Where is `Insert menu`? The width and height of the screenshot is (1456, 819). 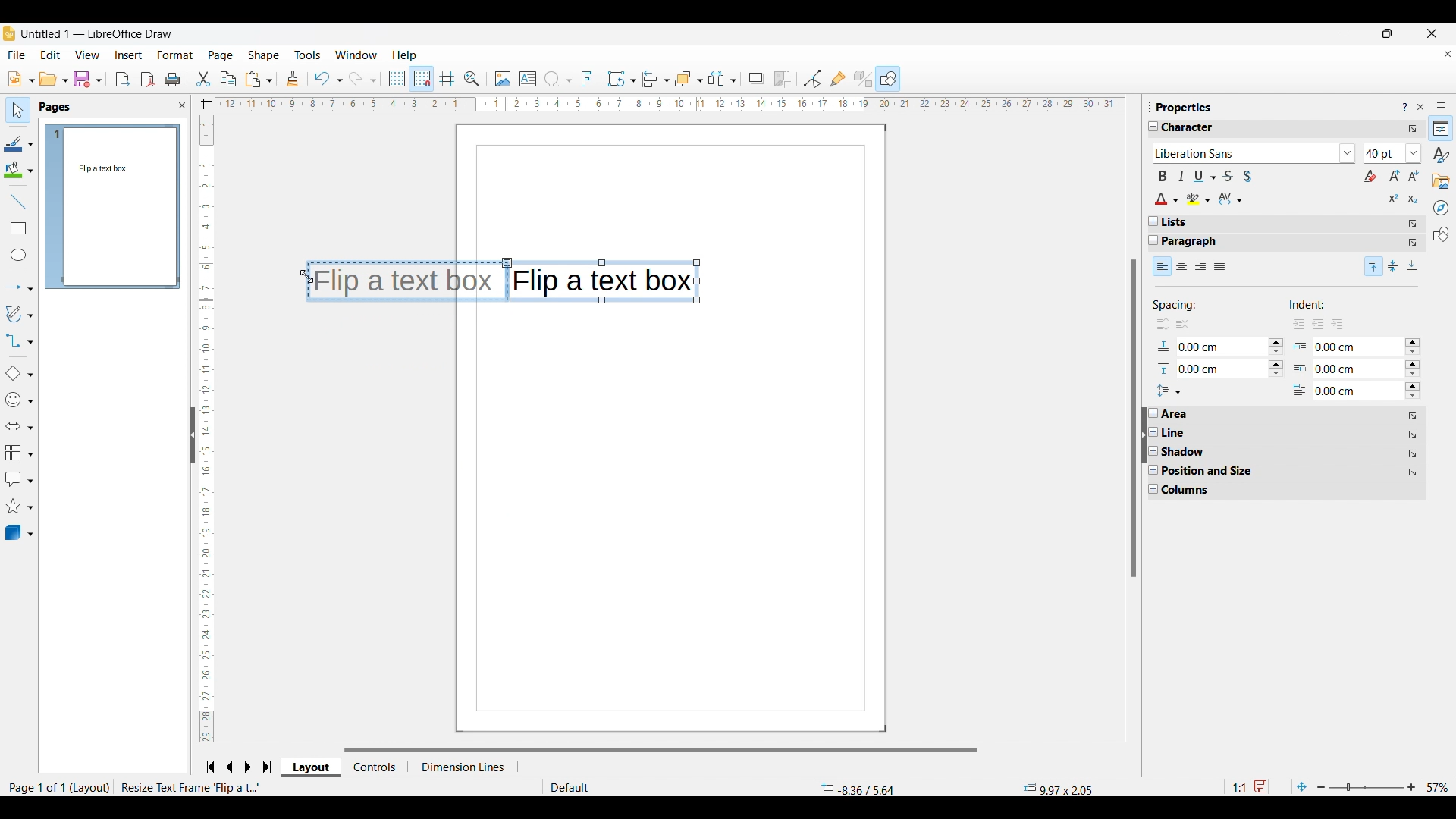
Insert menu is located at coordinates (129, 55).